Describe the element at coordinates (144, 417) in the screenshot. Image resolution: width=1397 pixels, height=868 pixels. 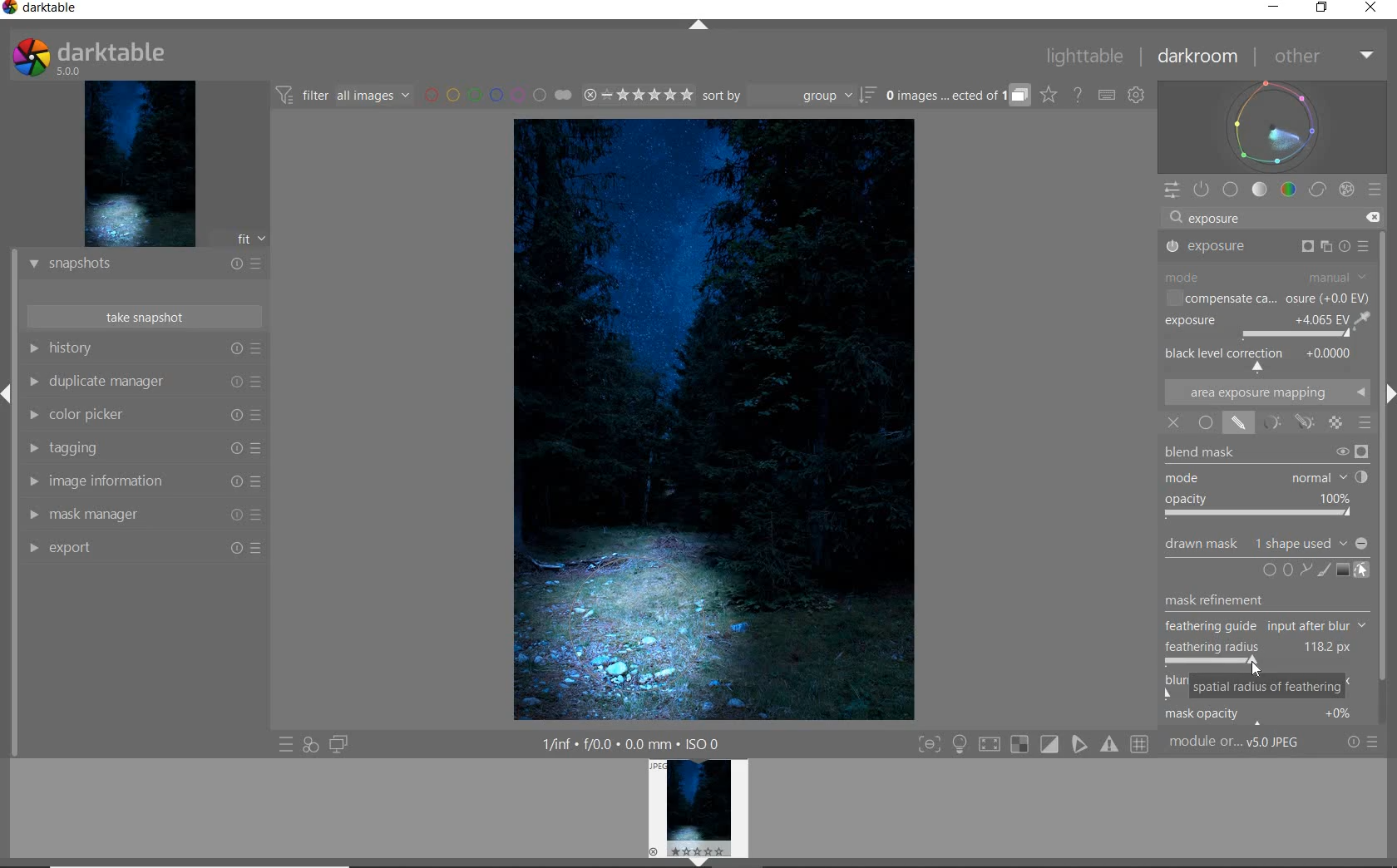
I see `COLOR PICKER` at that location.